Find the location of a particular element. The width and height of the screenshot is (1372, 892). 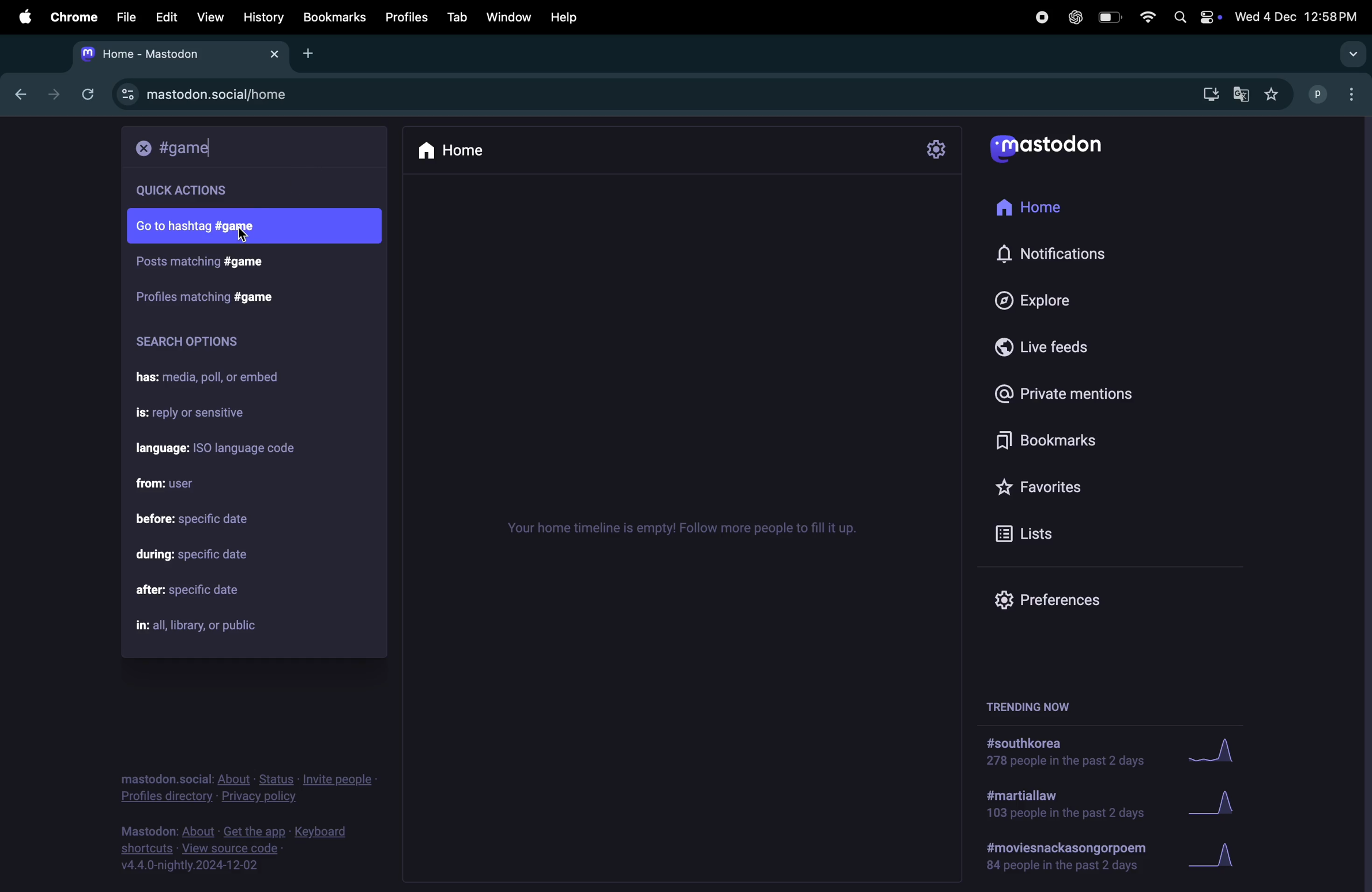

Recent searches is located at coordinates (211, 191).